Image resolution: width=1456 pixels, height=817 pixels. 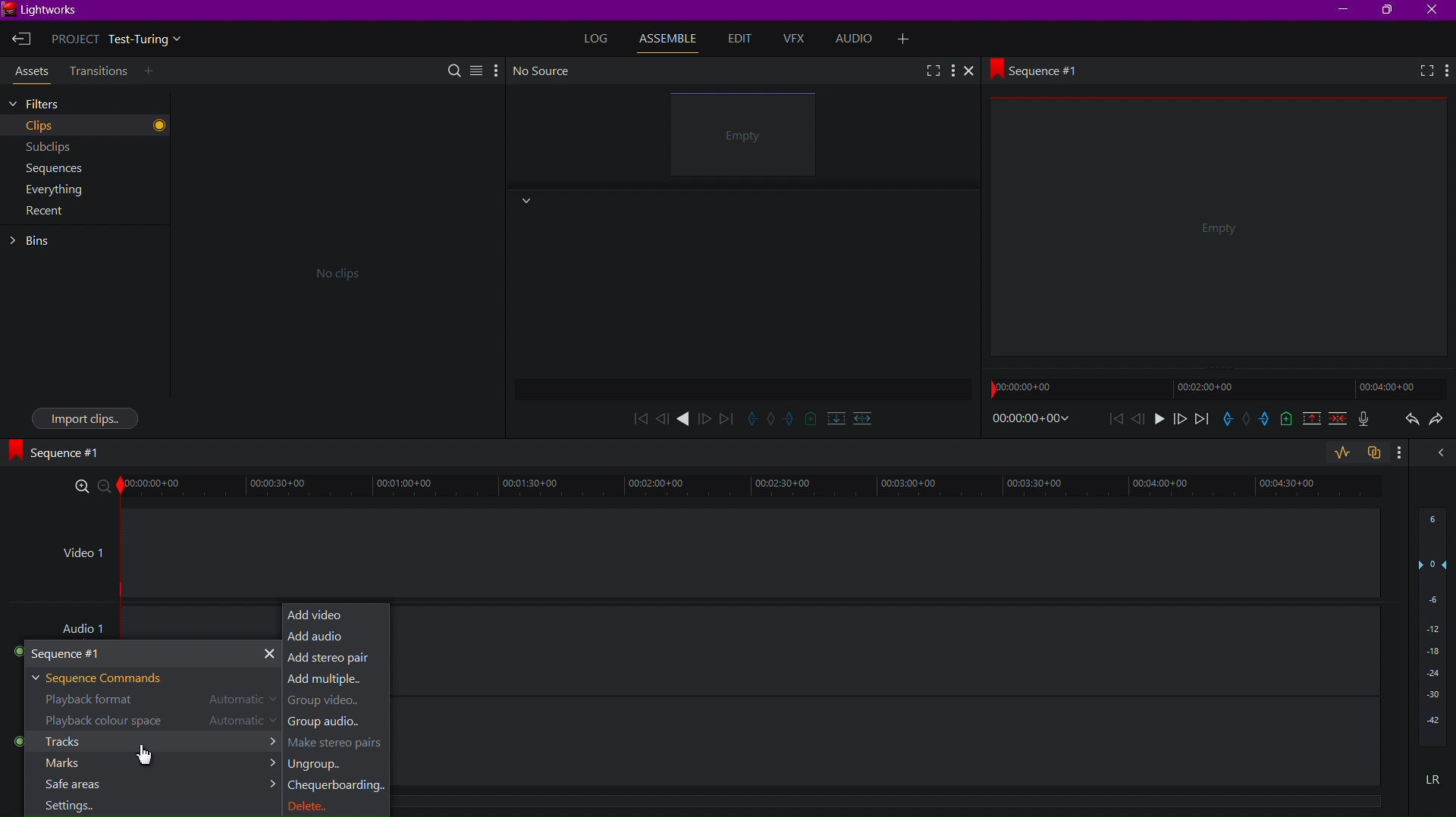 What do you see at coordinates (908, 37) in the screenshot?
I see `Add ` at bounding box center [908, 37].